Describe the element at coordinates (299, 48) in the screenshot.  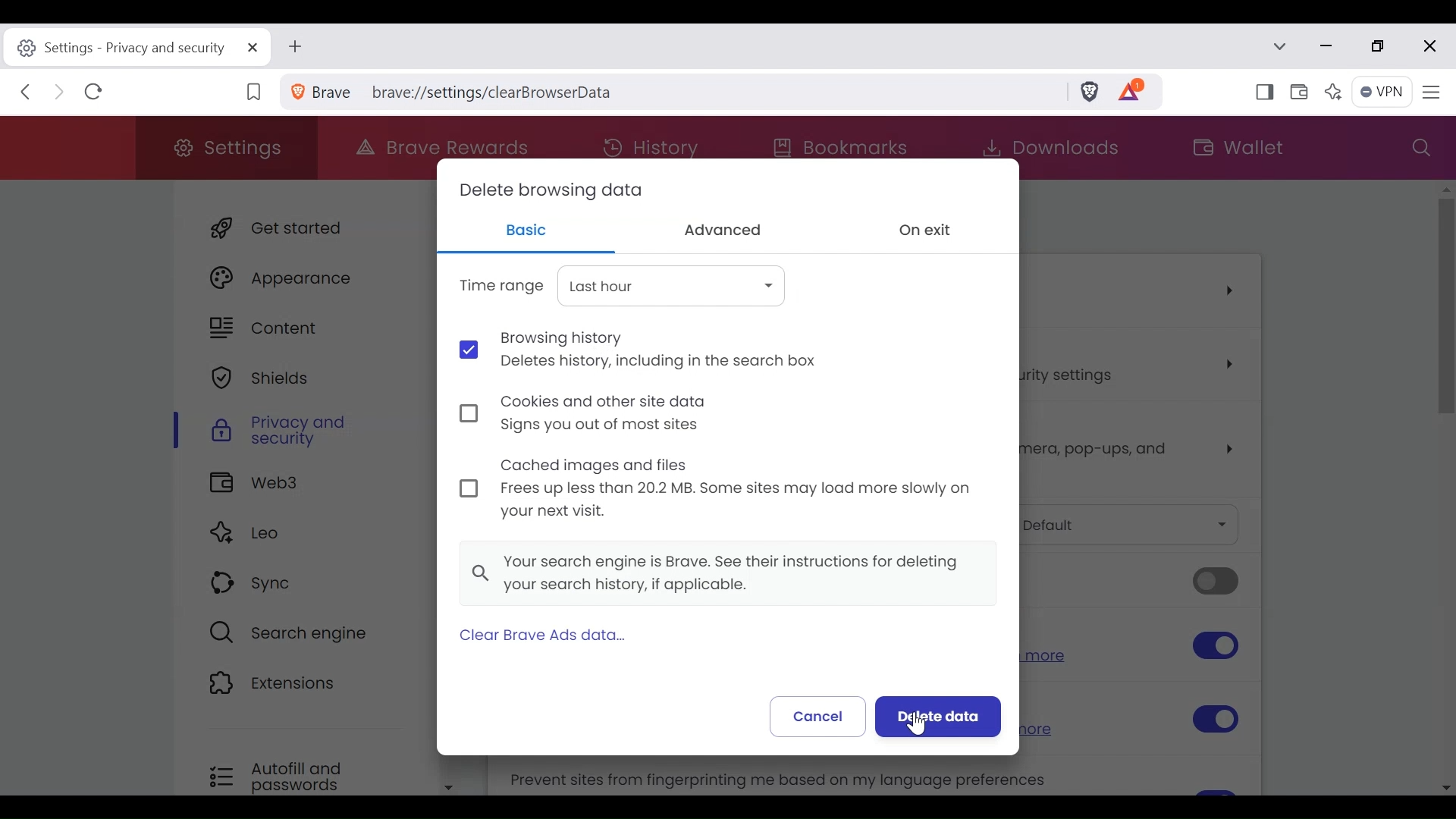
I see `New Tab` at that location.